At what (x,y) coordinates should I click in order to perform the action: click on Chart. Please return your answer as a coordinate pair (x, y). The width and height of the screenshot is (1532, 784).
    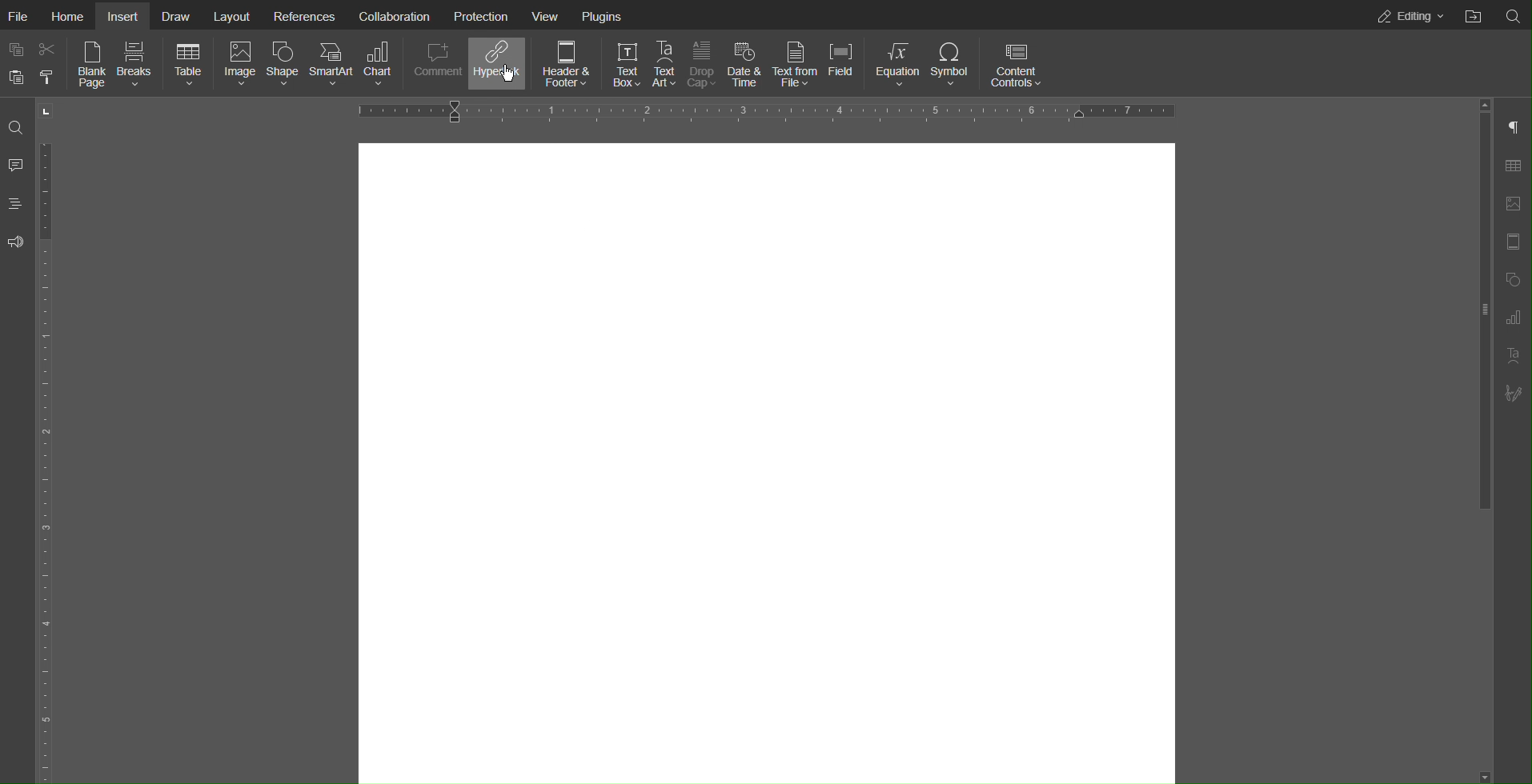
    Looking at the image, I should click on (379, 65).